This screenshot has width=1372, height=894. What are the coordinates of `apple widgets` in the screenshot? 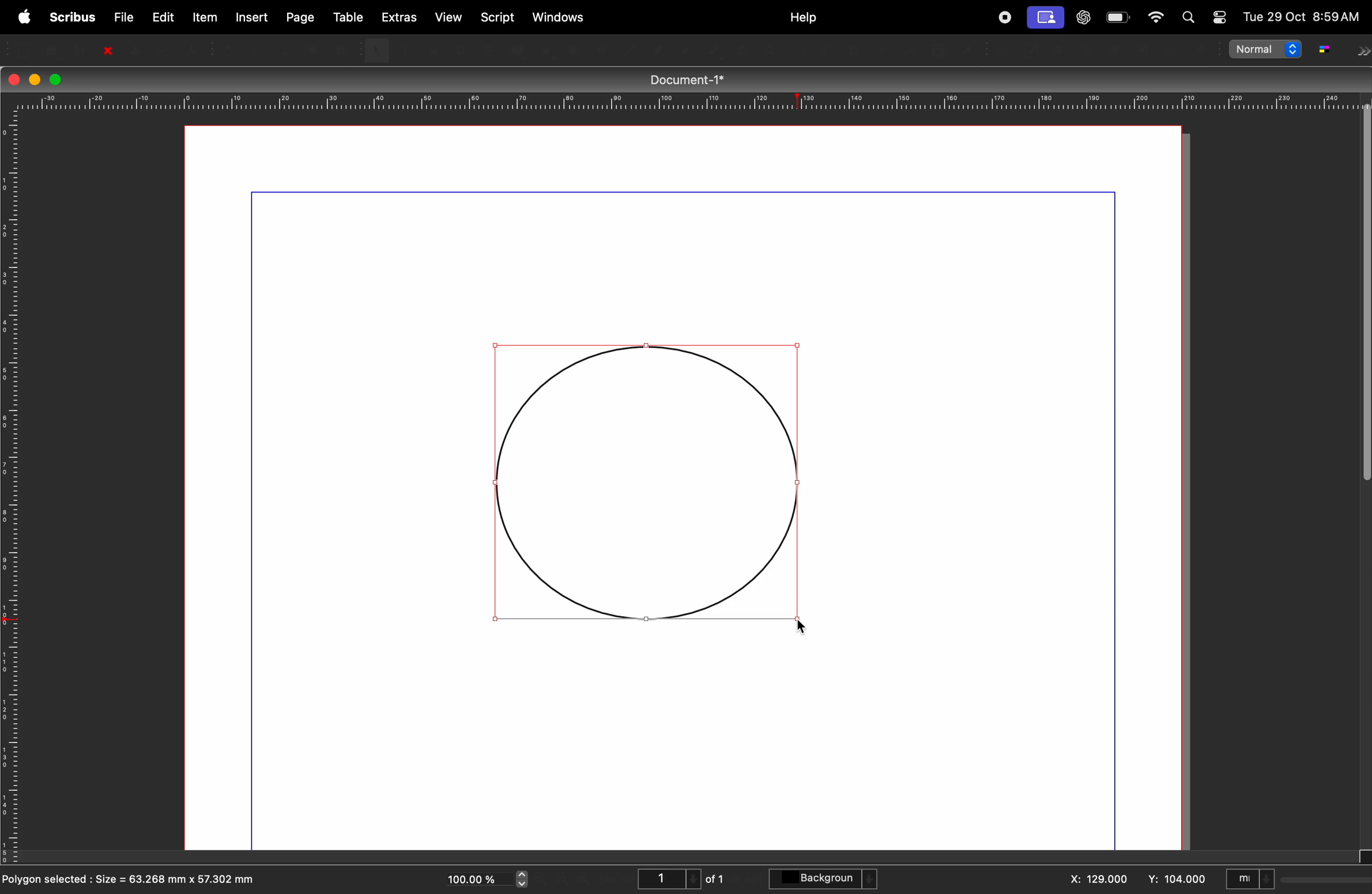 It's located at (1155, 18).